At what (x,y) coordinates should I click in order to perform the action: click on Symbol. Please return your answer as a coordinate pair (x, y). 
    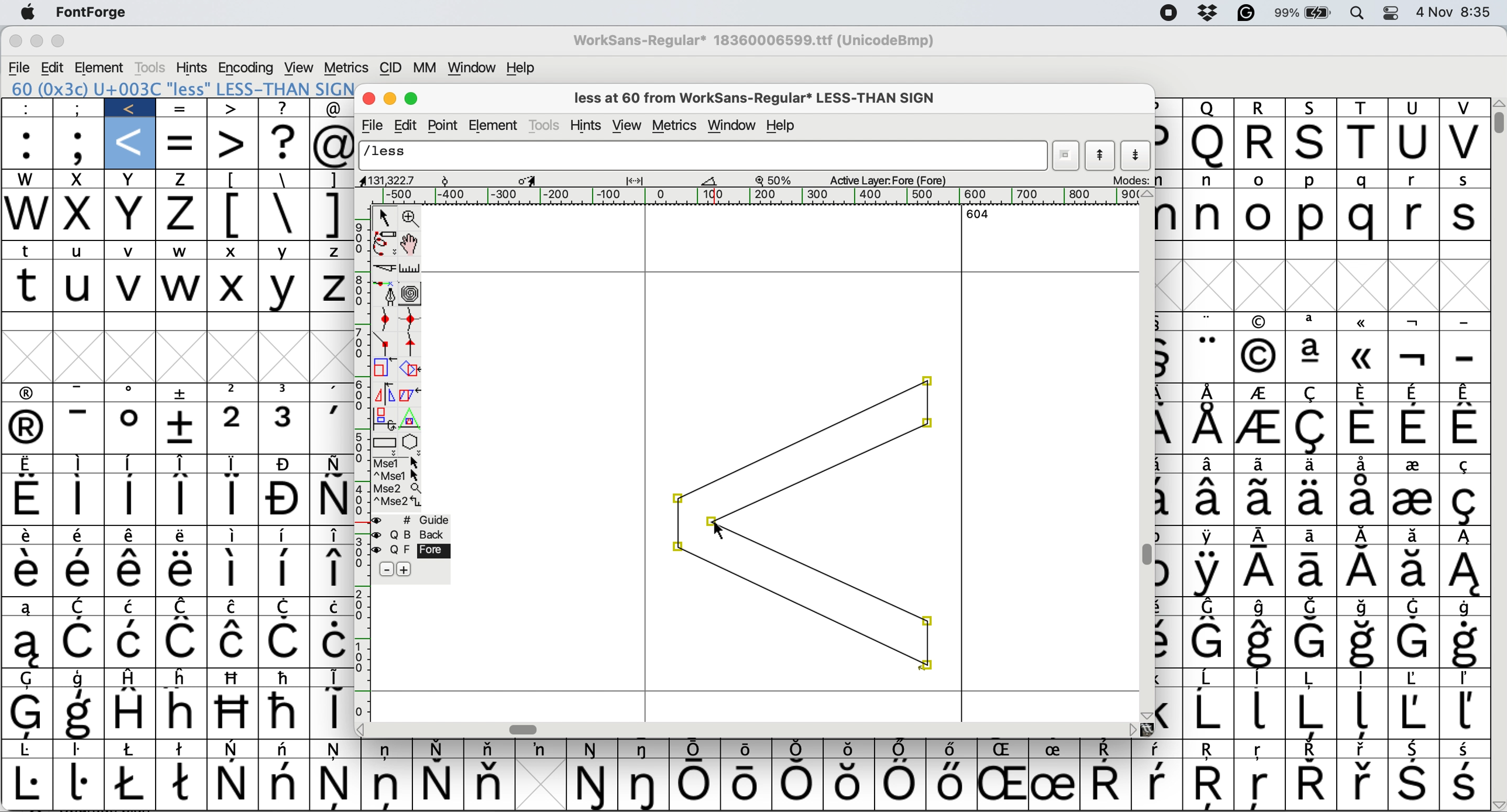
    Looking at the image, I should click on (183, 677).